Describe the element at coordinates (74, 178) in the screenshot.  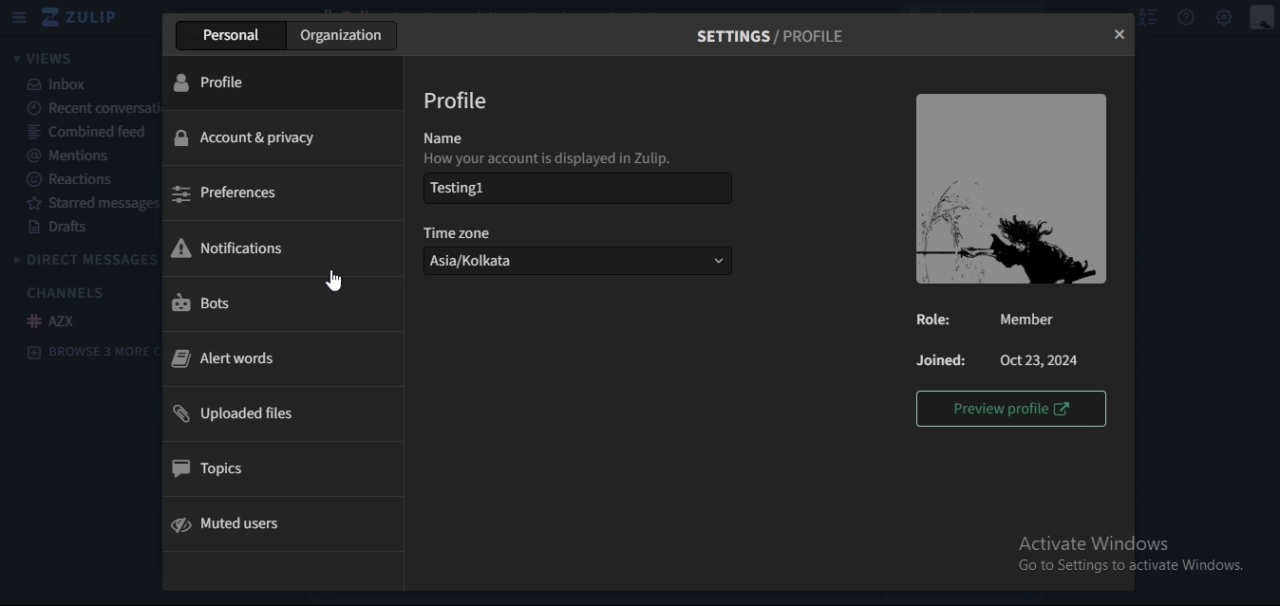
I see `reactions` at that location.